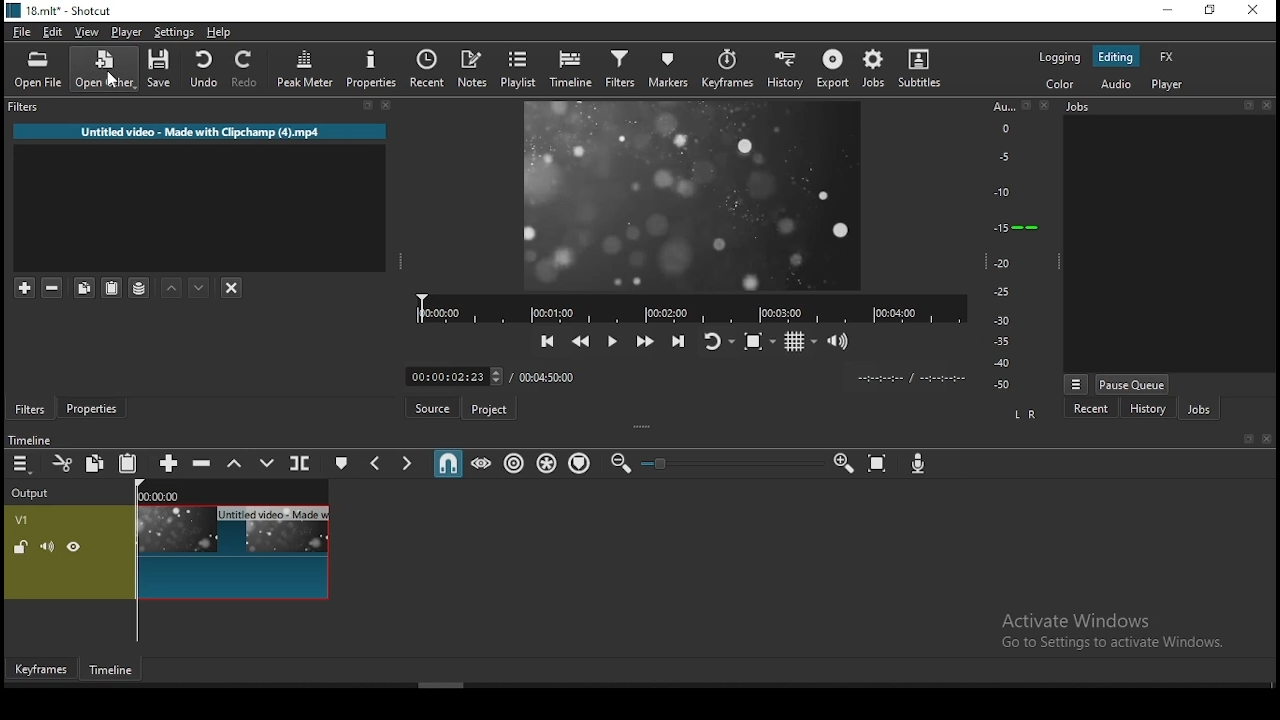 This screenshot has width=1280, height=720. Describe the element at coordinates (23, 288) in the screenshot. I see `add a filter` at that location.